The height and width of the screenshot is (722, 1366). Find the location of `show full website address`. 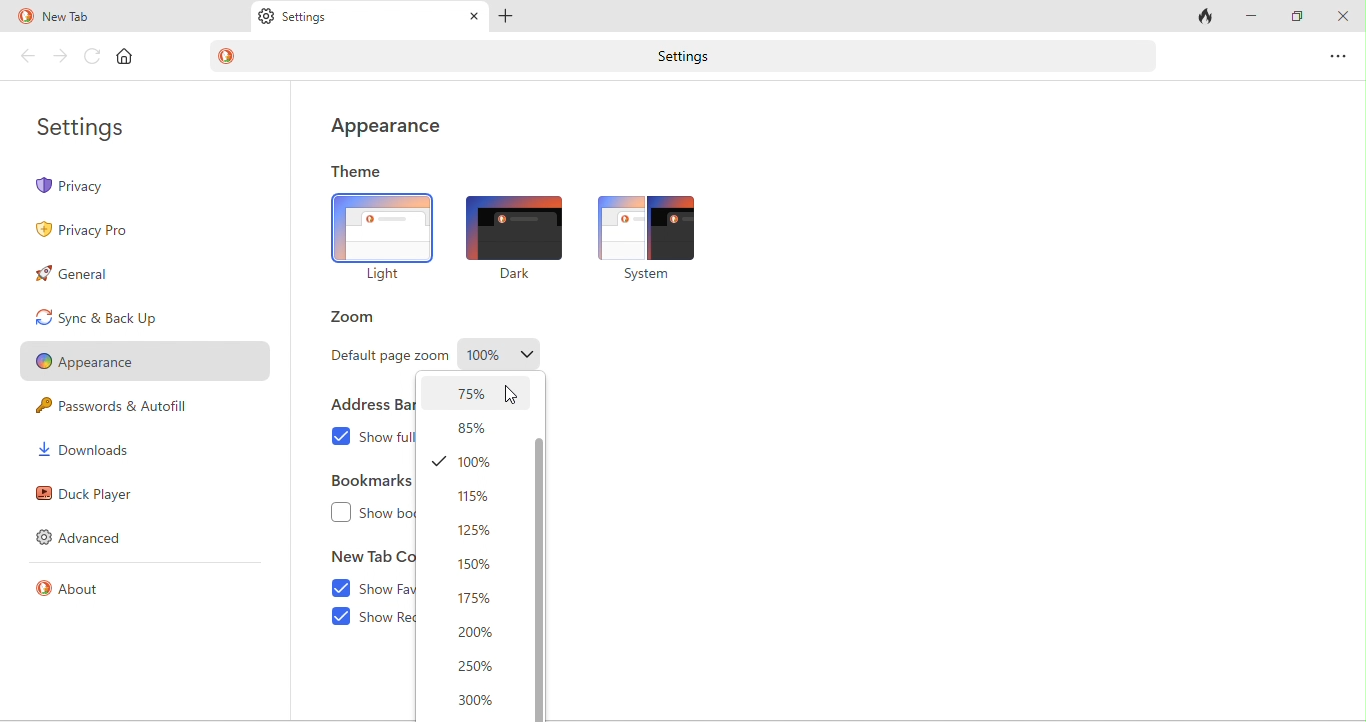

show full website address is located at coordinates (387, 437).